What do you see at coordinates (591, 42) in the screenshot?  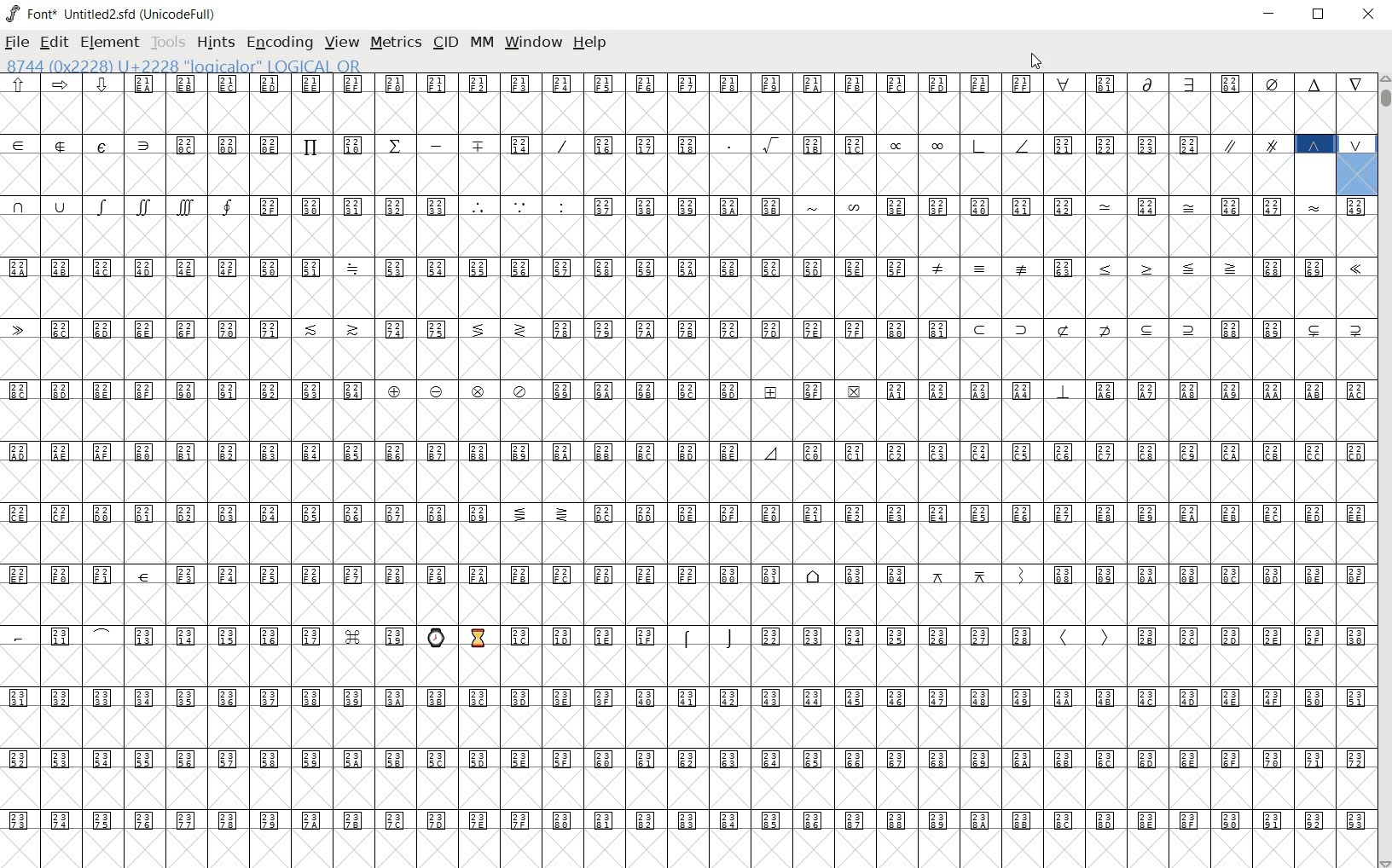 I see `help` at bounding box center [591, 42].